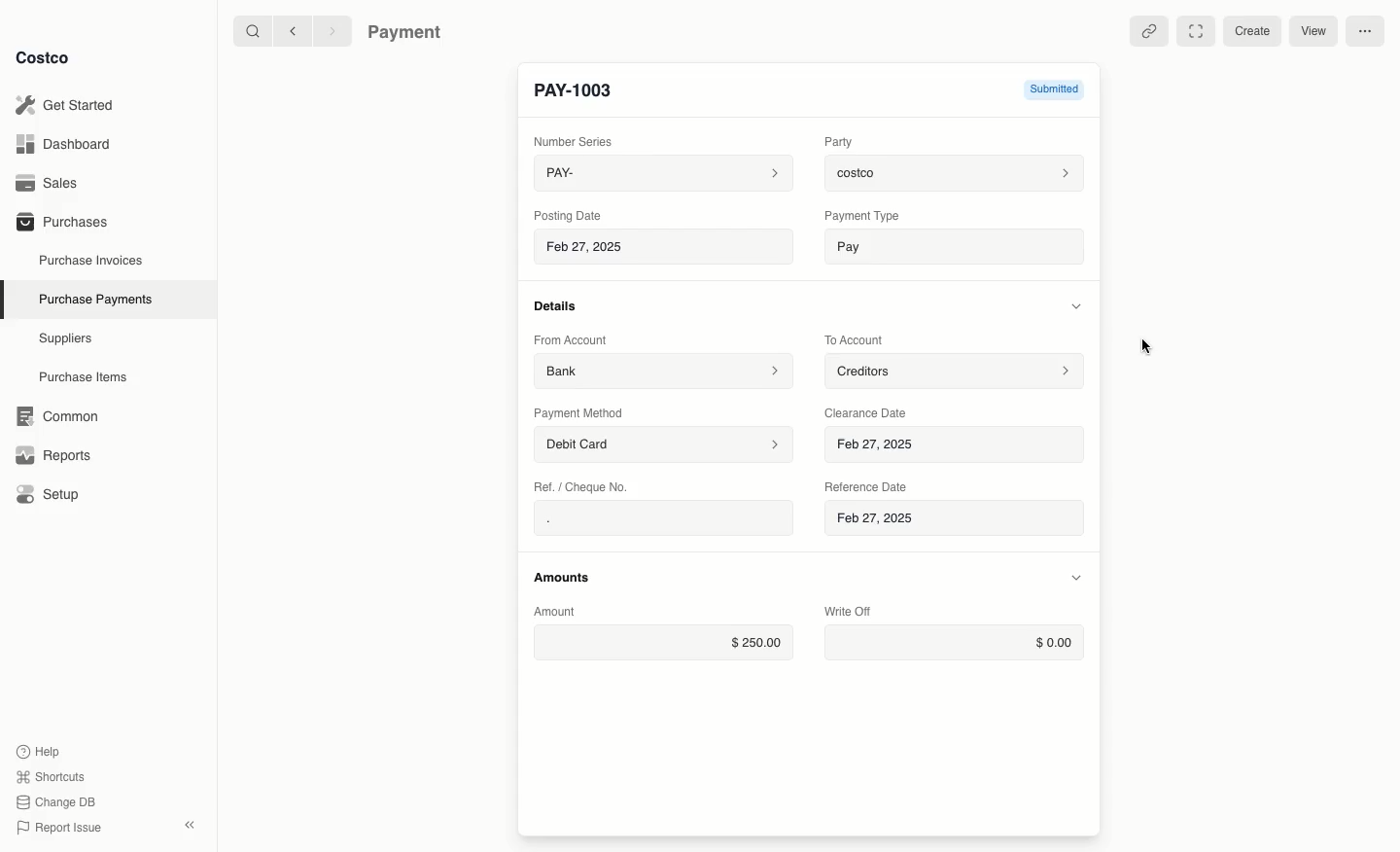 The height and width of the screenshot is (852, 1400). Describe the element at coordinates (331, 30) in the screenshot. I see `Forward` at that location.